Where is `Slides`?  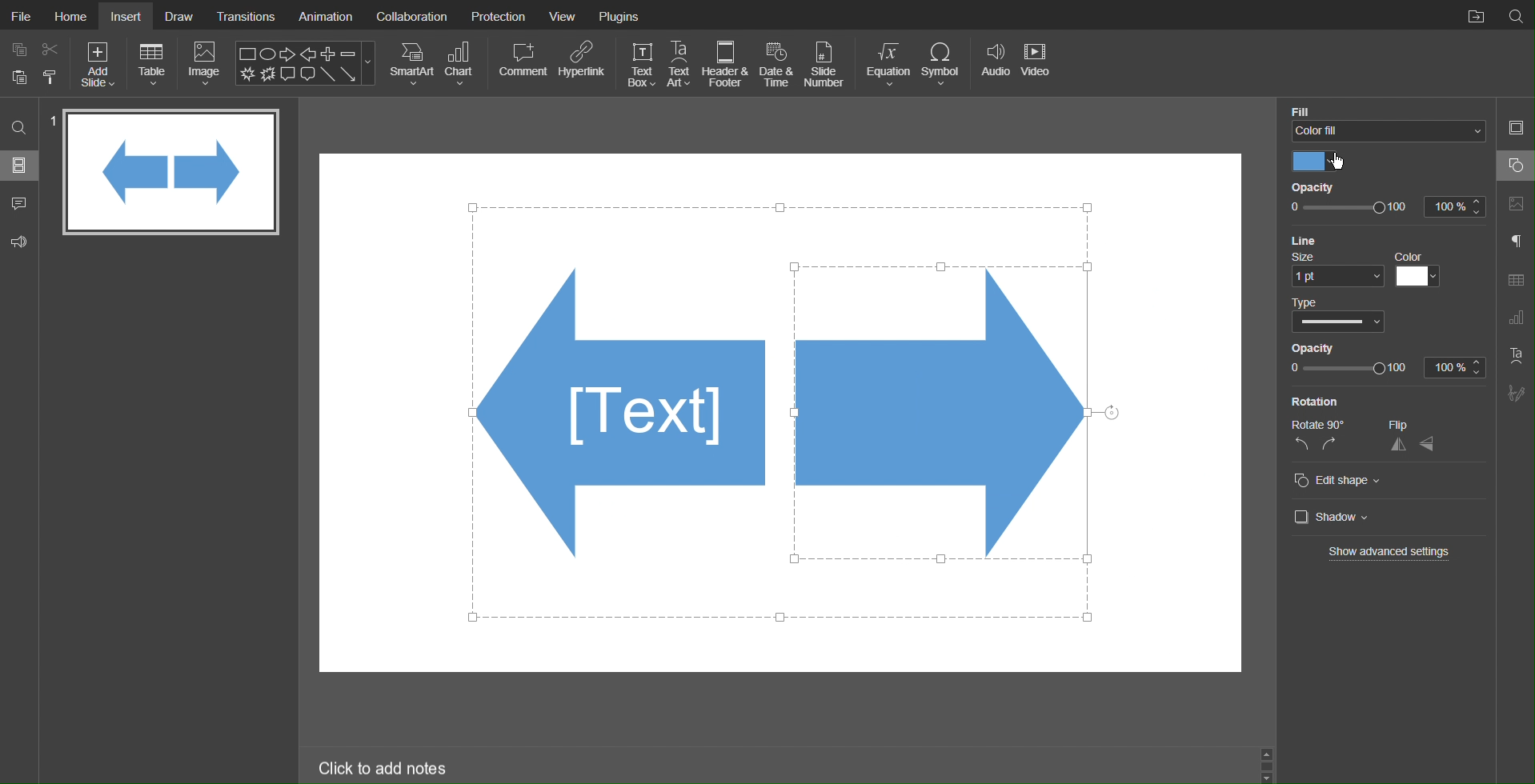 Slides is located at coordinates (20, 167).